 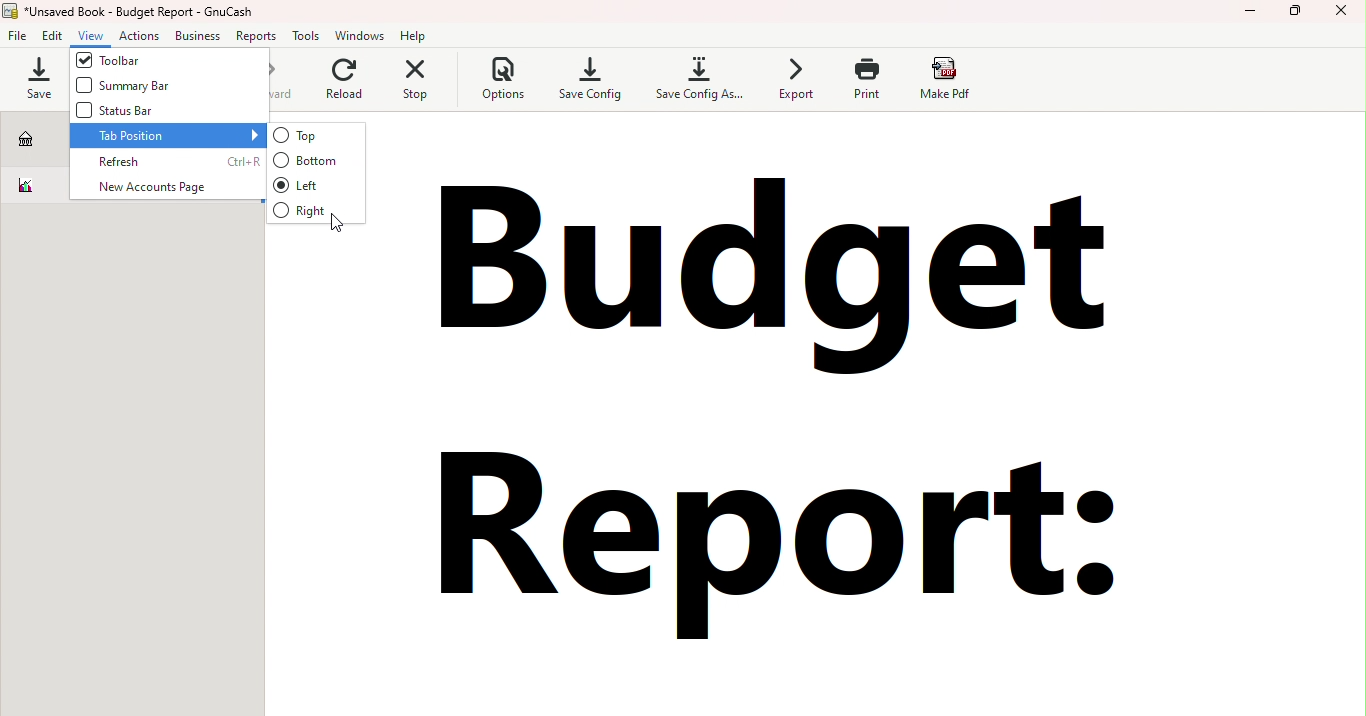 What do you see at coordinates (32, 139) in the screenshot?
I see `Accounts` at bounding box center [32, 139].